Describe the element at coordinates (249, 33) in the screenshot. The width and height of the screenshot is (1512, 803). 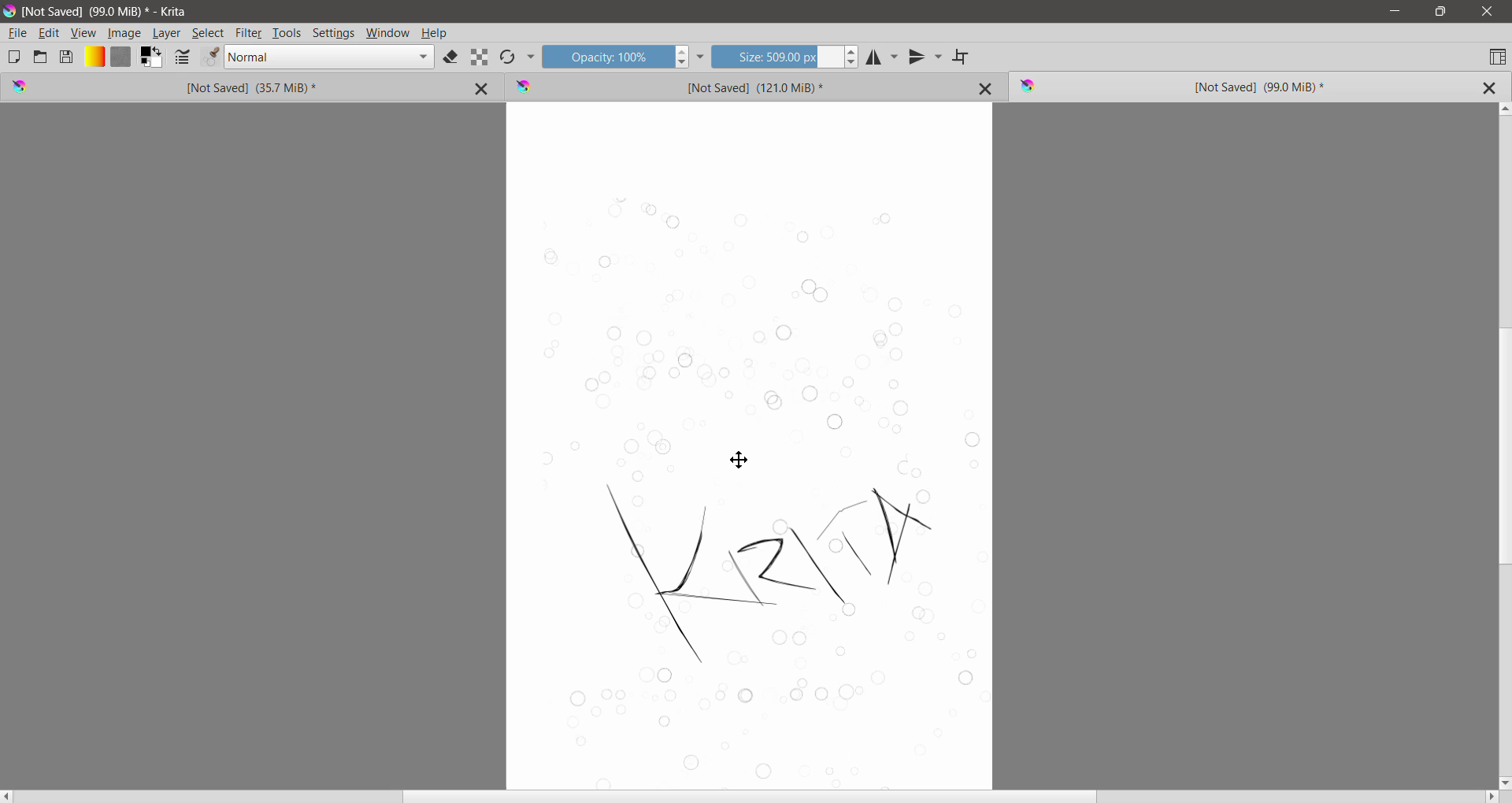
I see `Filter` at that location.